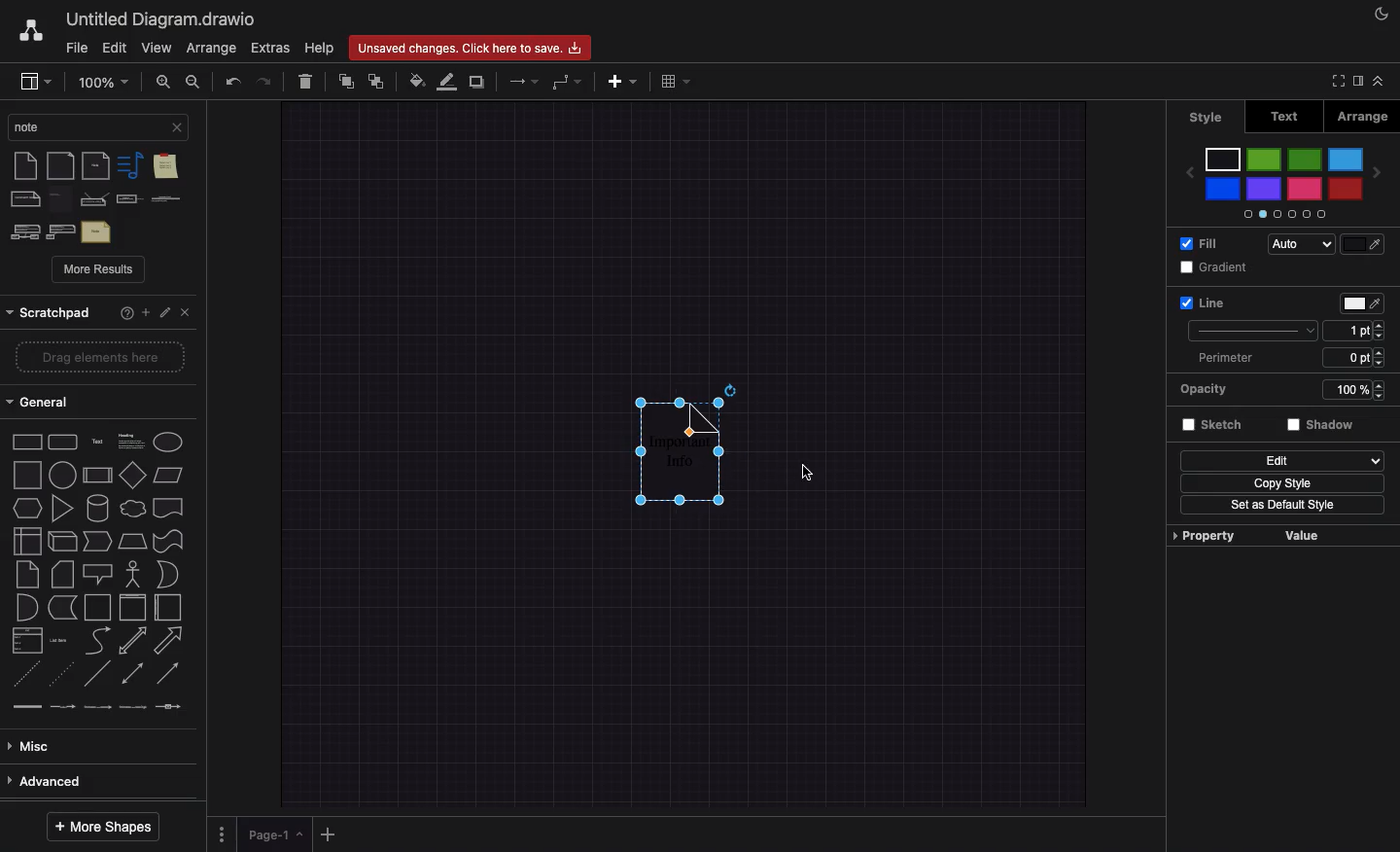 This screenshot has width=1400, height=852. Describe the element at coordinates (168, 608) in the screenshot. I see `horizontal container` at that location.